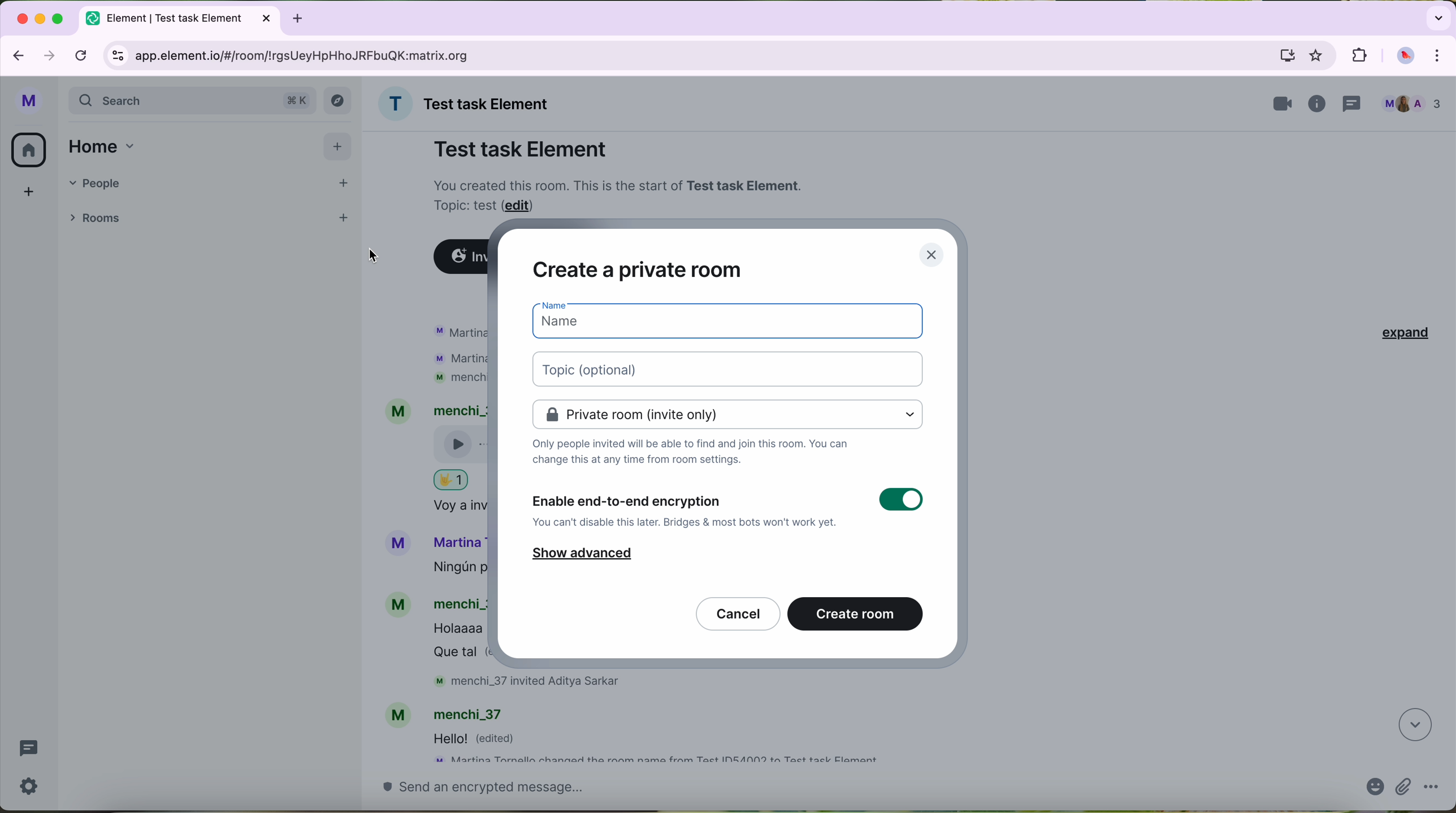 Image resolution: width=1456 pixels, height=813 pixels. I want to click on add, so click(24, 197).